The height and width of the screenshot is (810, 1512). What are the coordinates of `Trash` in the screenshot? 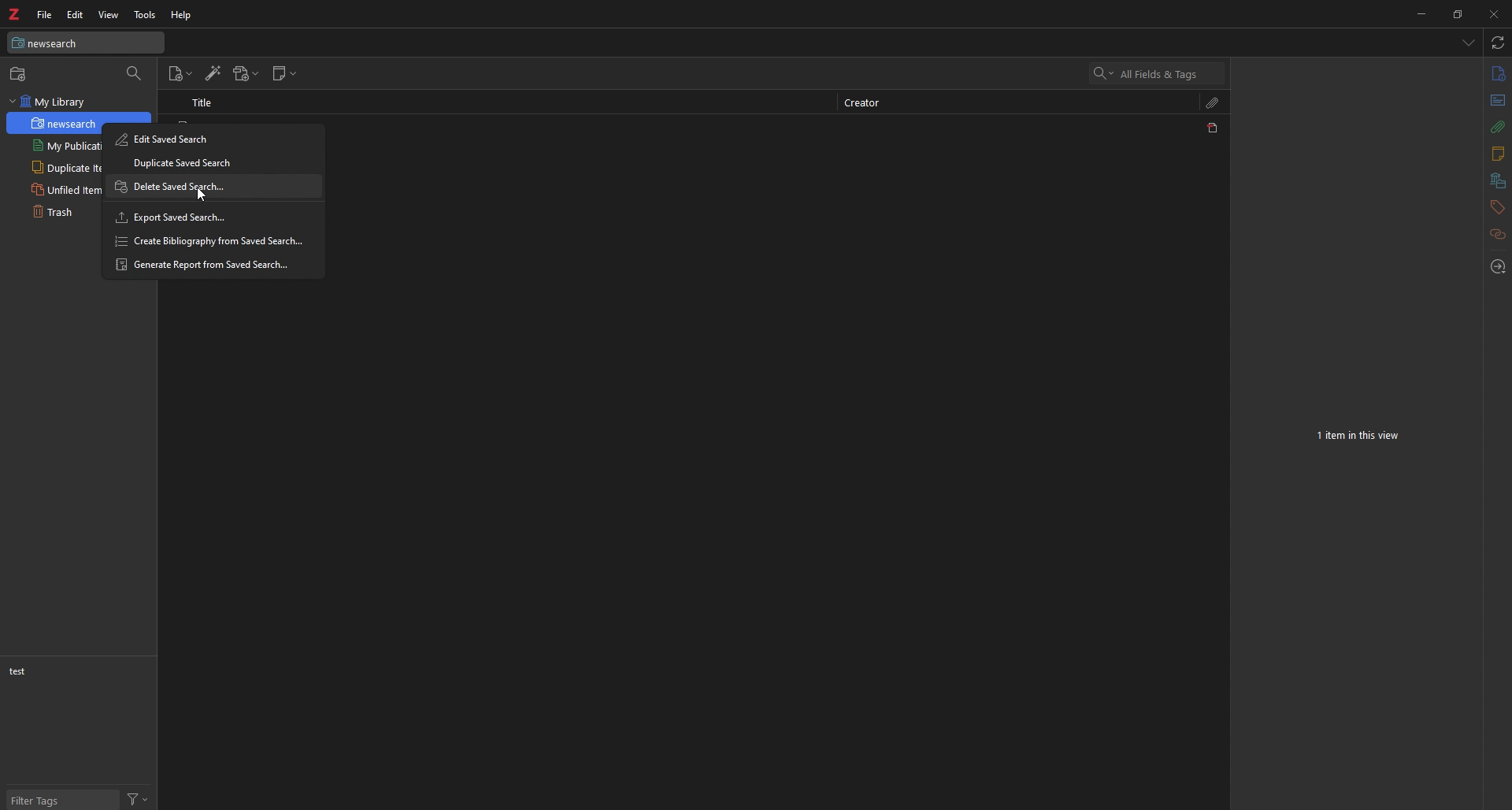 It's located at (52, 212).